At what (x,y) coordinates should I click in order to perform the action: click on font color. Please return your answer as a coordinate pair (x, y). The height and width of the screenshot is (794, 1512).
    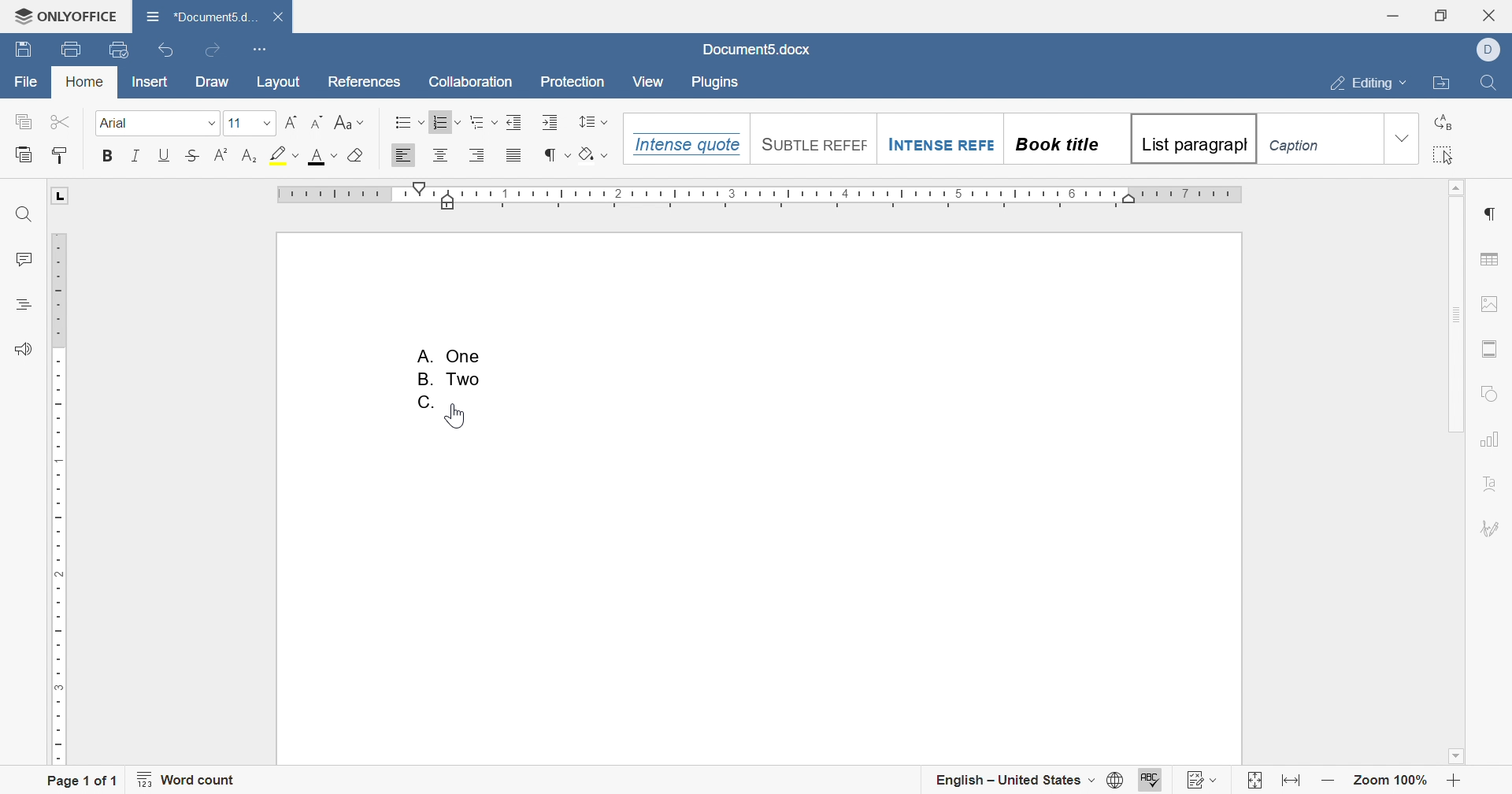
    Looking at the image, I should click on (324, 157).